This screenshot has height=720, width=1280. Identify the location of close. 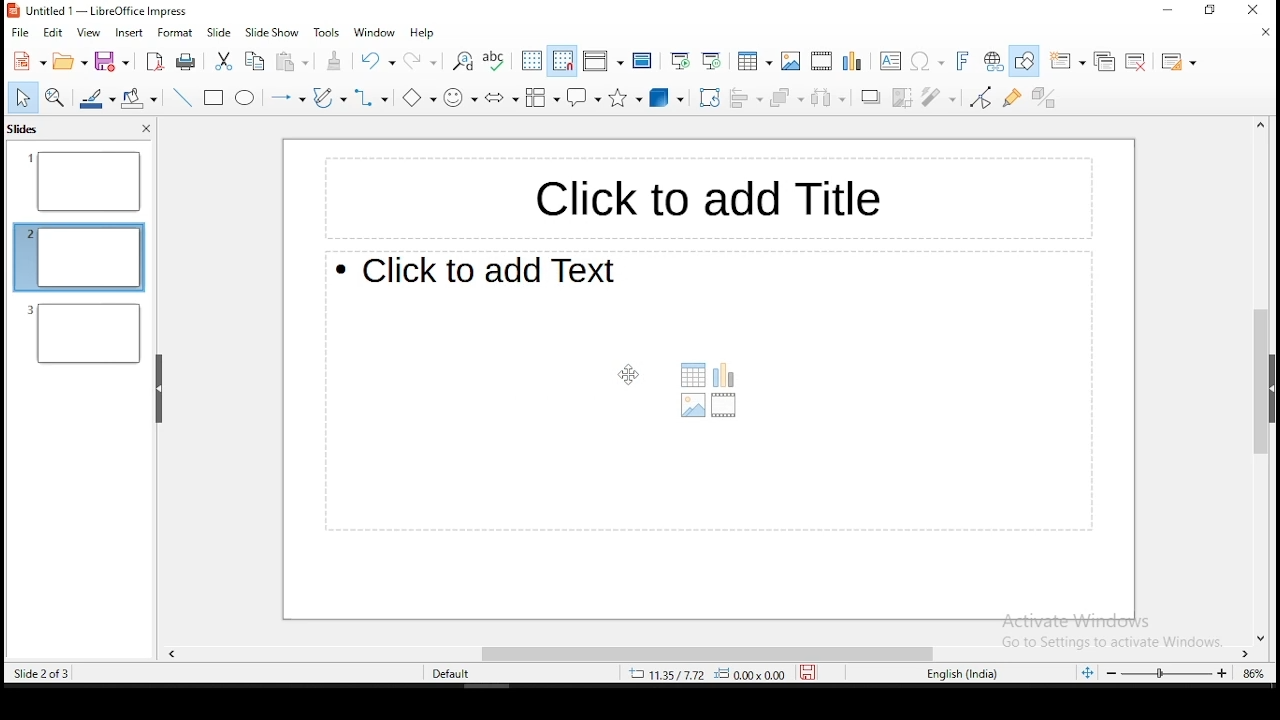
(1263, 36).